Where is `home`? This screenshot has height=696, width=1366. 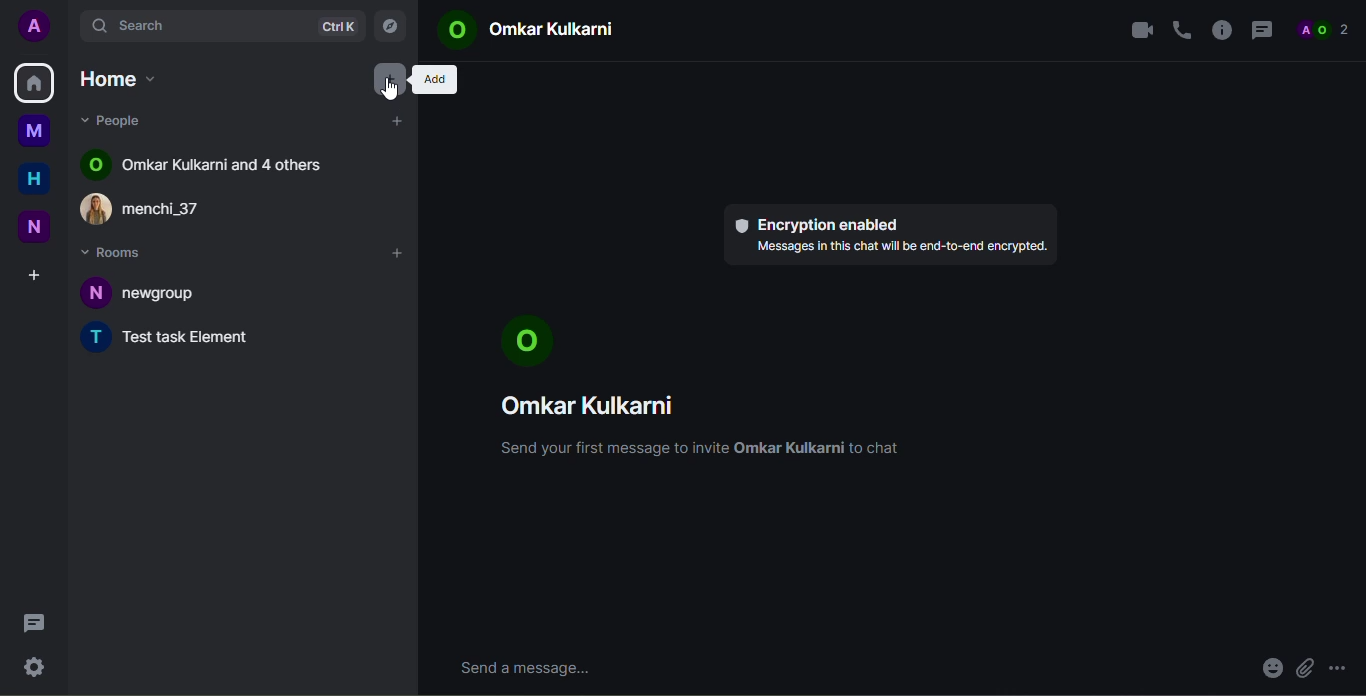
home is located at coordinates (34, 81).